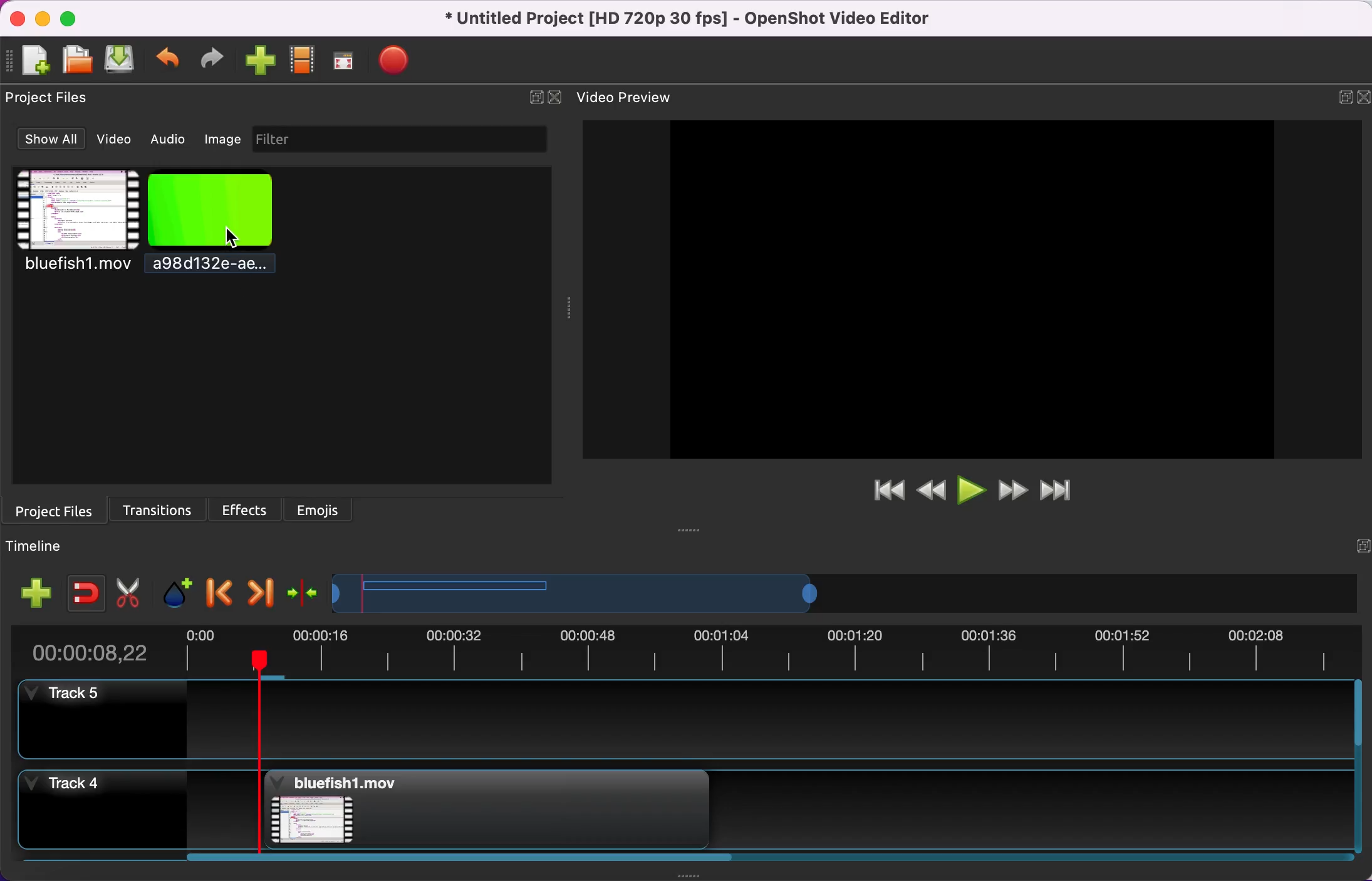  What do you see at coordinates (219, 591) in the screenshot?
I see `previous marker` at bounding box center [219, 591].